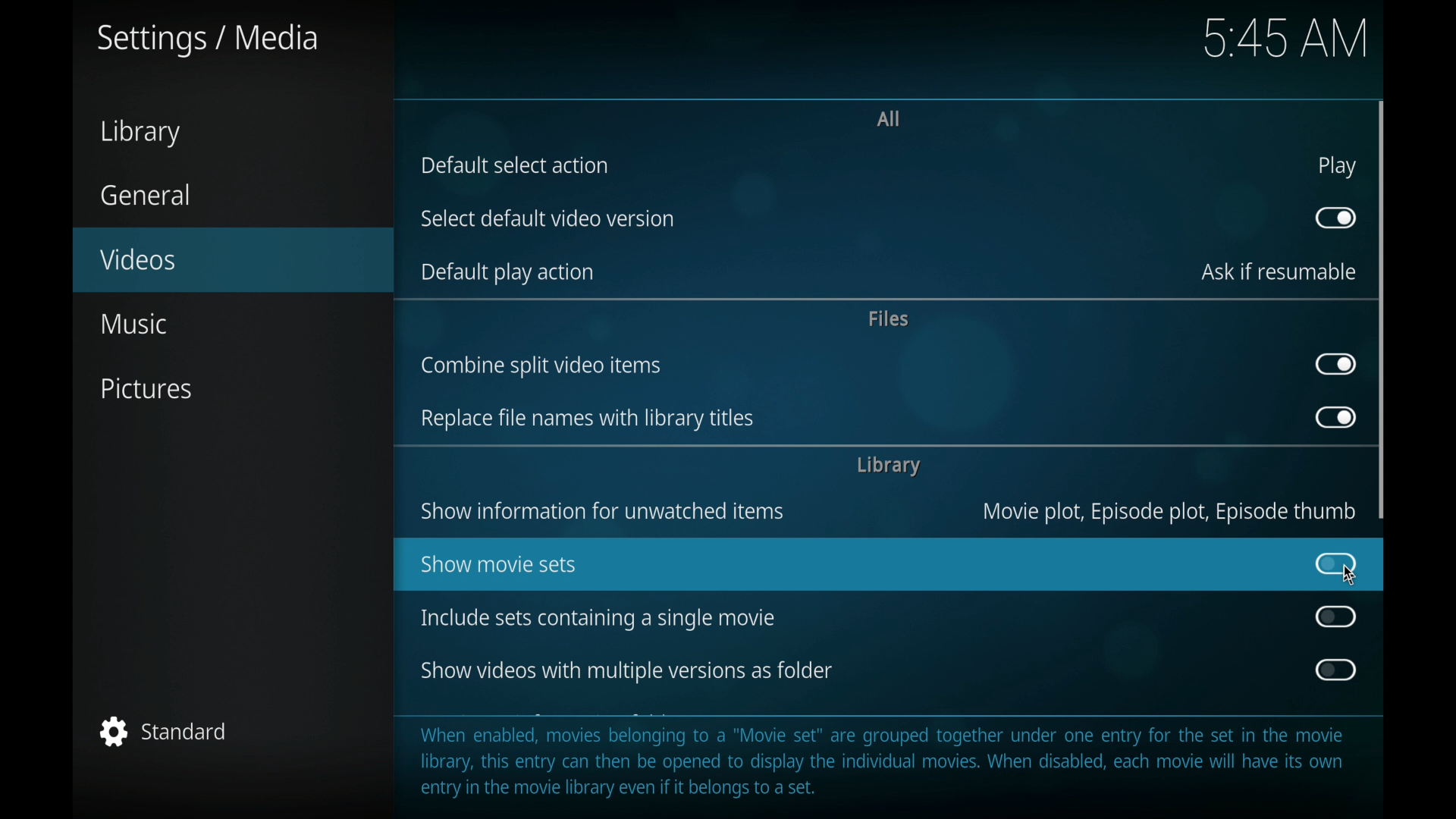 Image resolution: width=1456 pixels, height=819 pixels. Describe the element at coordinates (1350, 576) in the screenshot. I see `cursor` at that location.